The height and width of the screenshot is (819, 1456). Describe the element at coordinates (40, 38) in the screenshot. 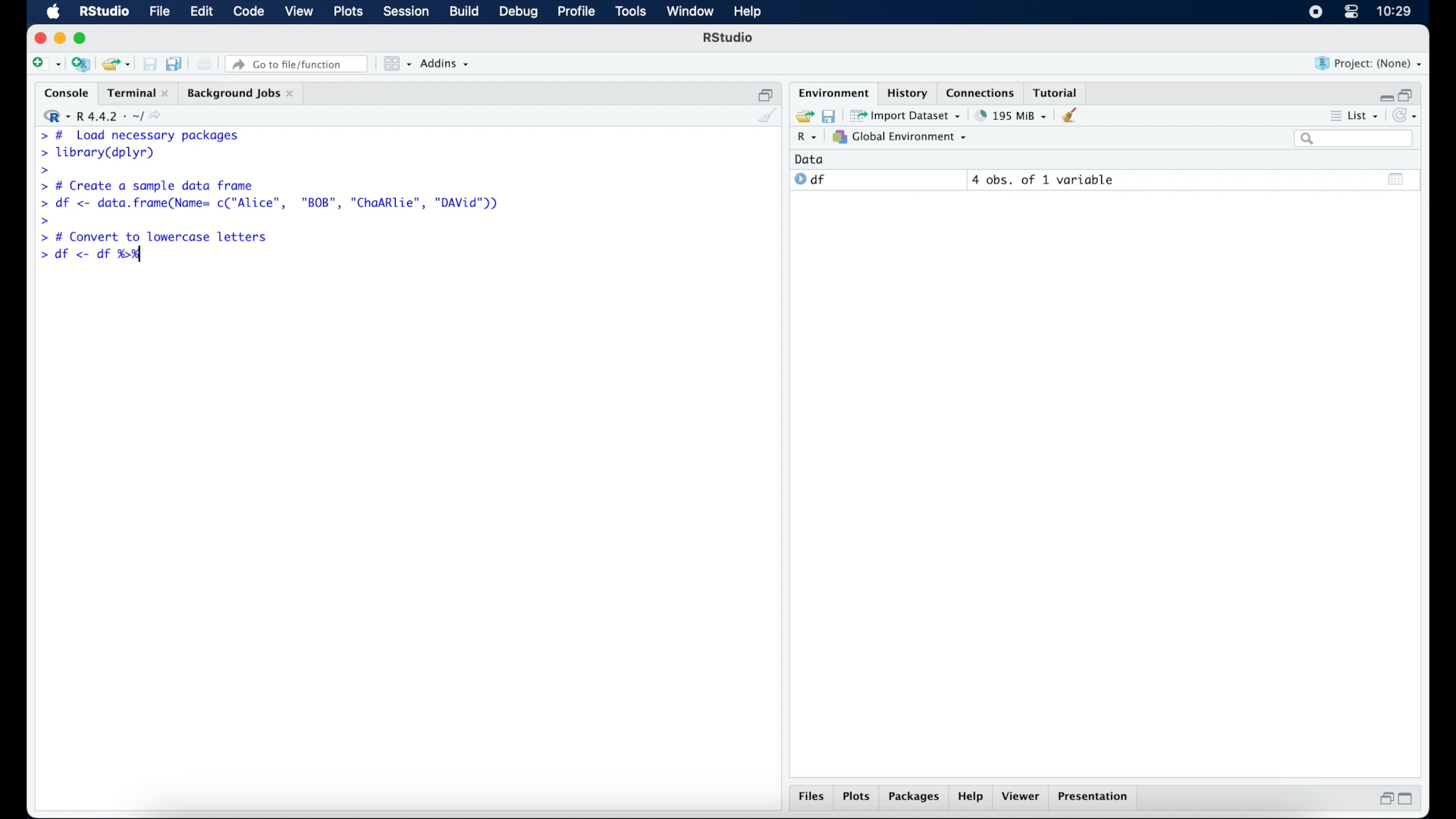

I see `close` at that location.